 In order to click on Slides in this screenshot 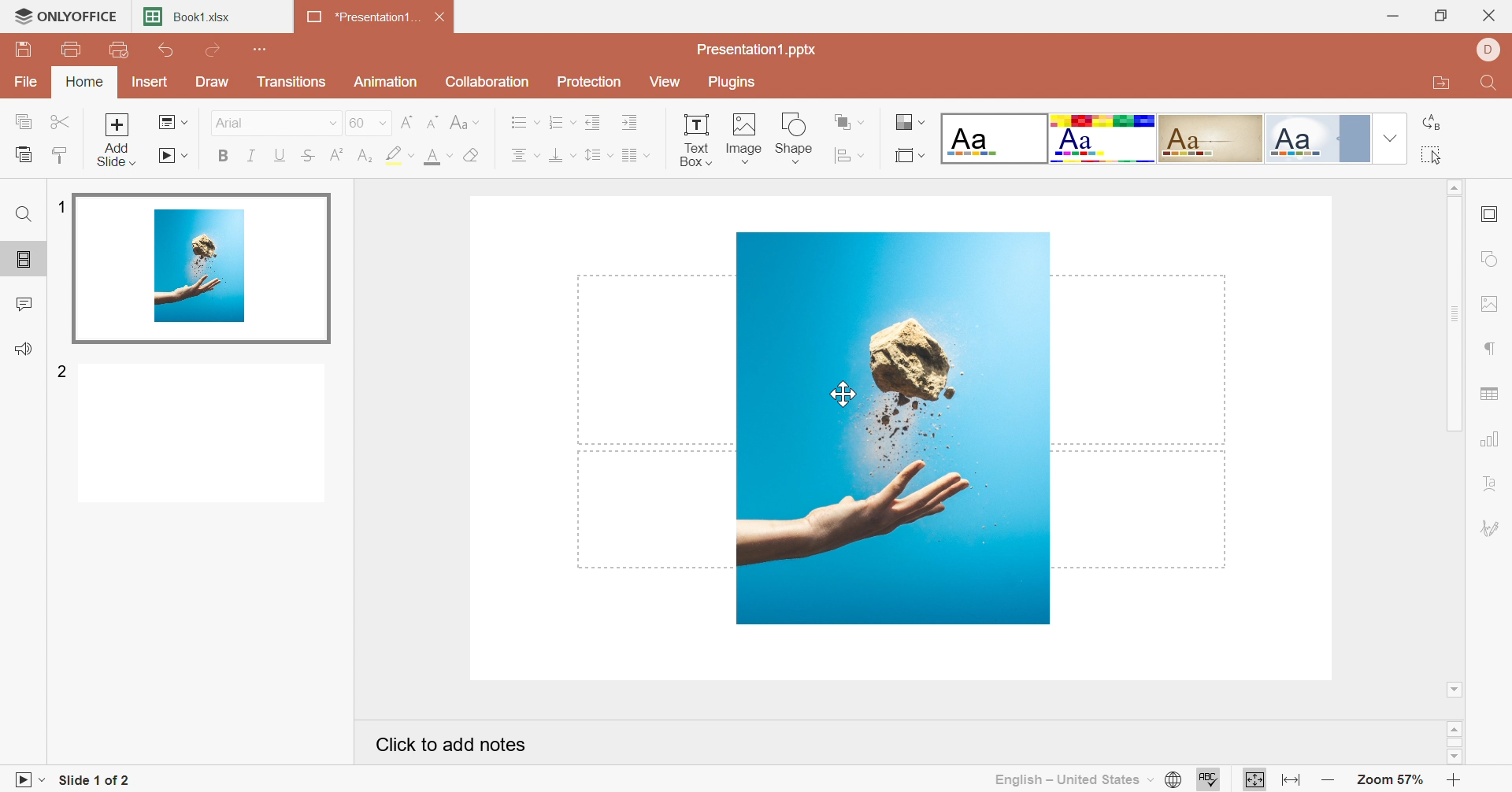, I will do `click(24, 261)`.